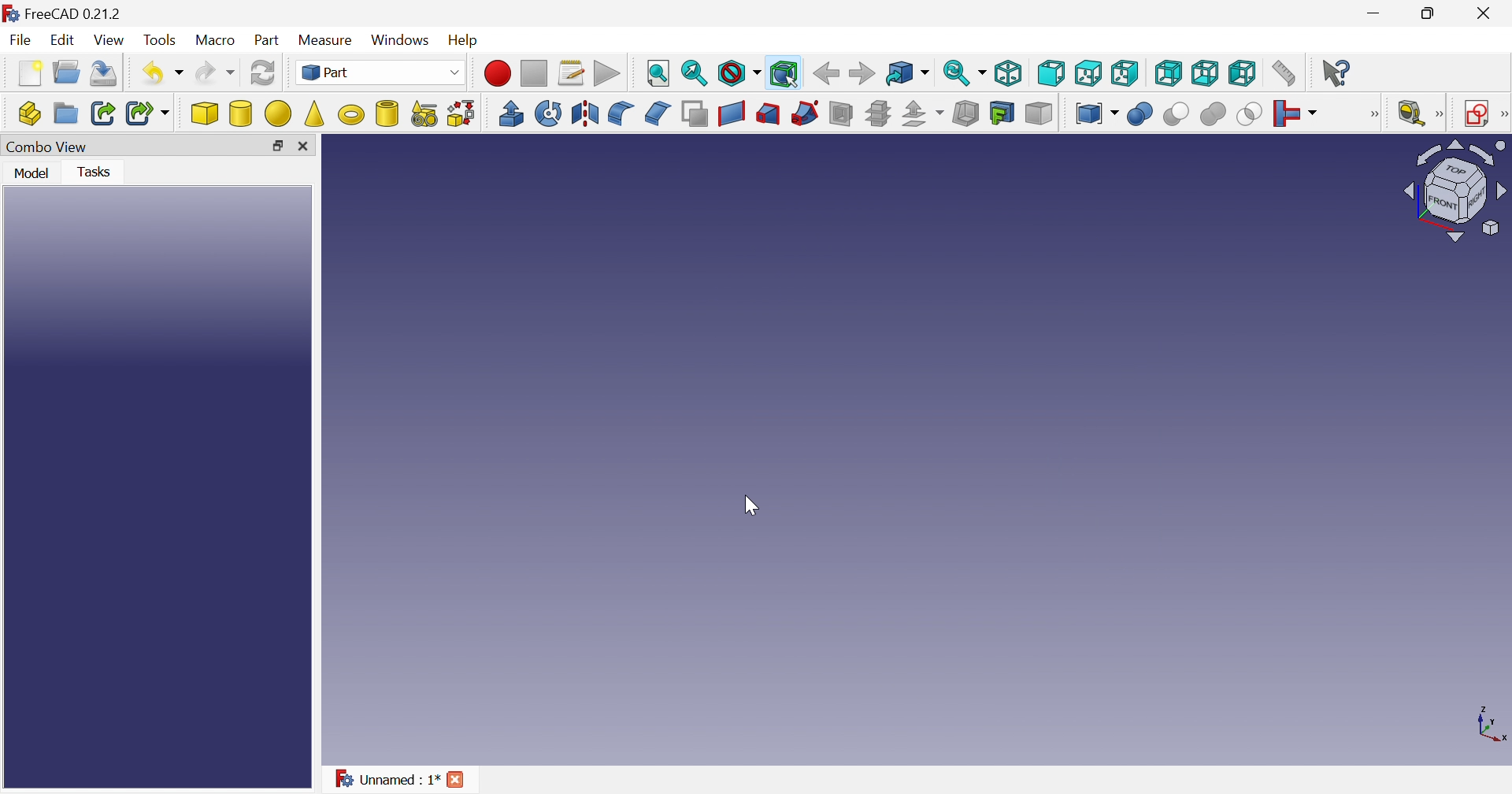 This screenshot has width=1512, height=794. Describe the element at coordinates (621, 113) in the screenshot. I see `Fillet...` at that location.